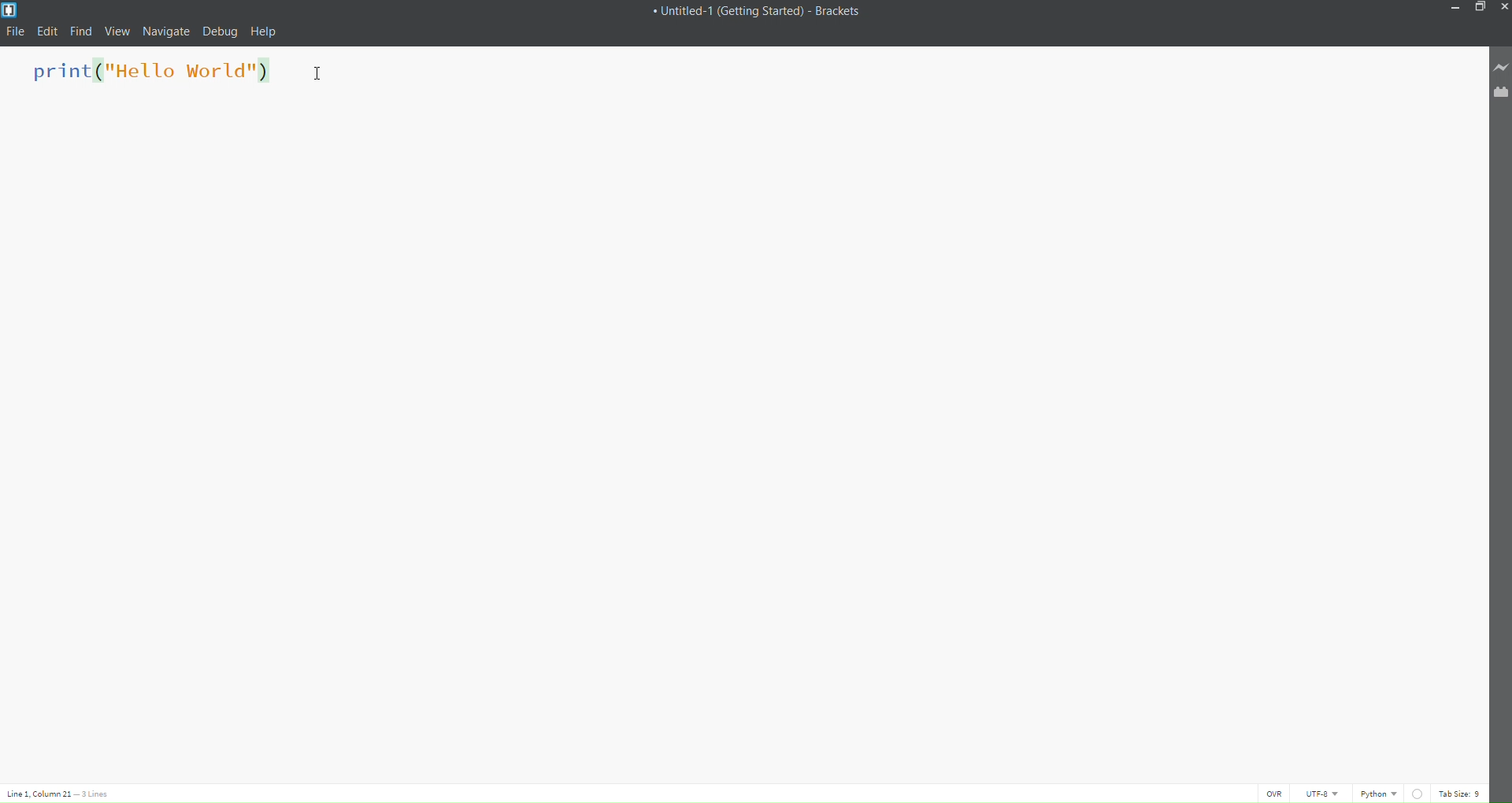  Describe the element at coordinates (265, 29) in the screenshot. I see `help` at that location.